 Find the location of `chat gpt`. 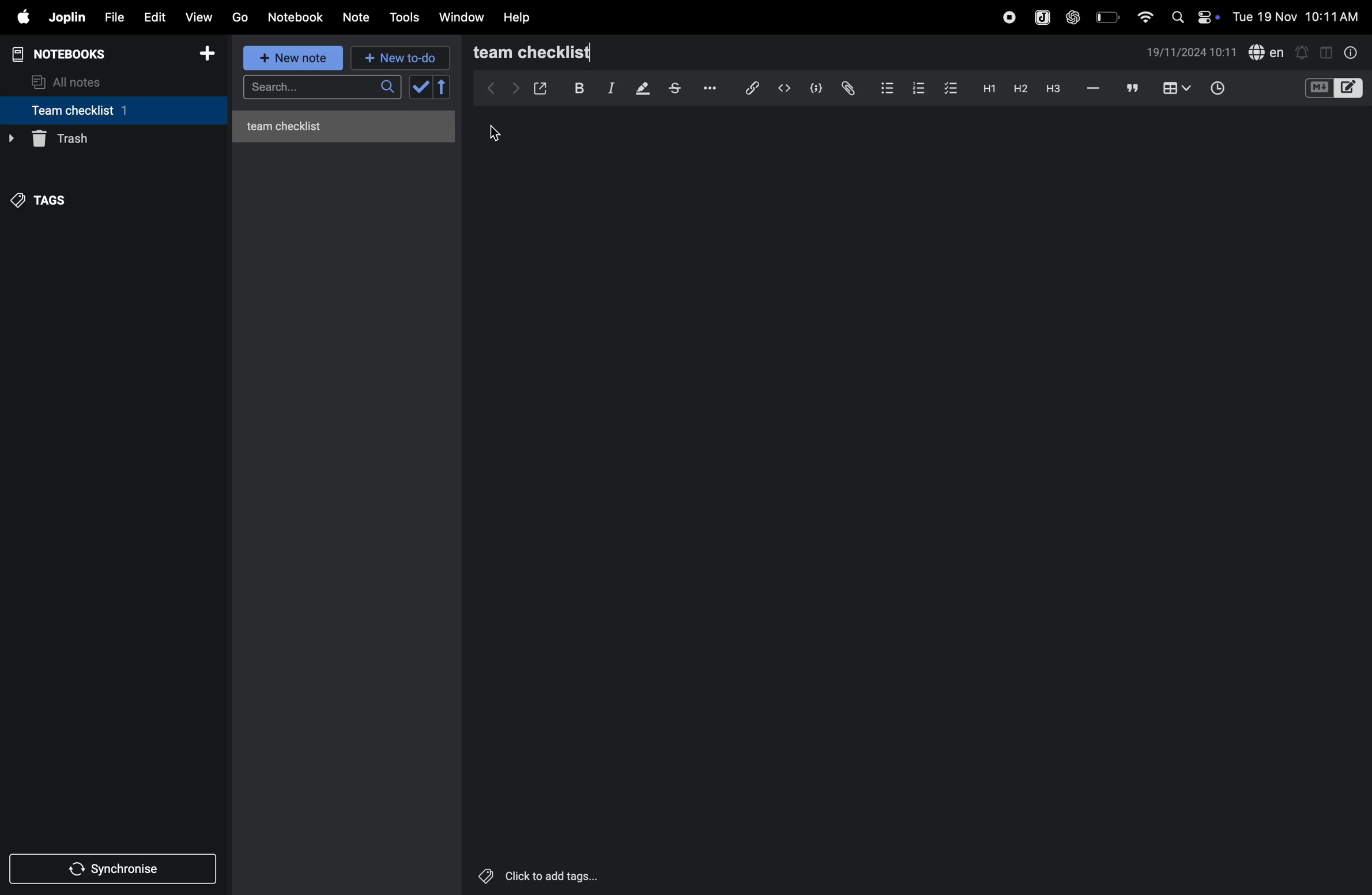

chat gpt is located at coordinates (1071, 17).